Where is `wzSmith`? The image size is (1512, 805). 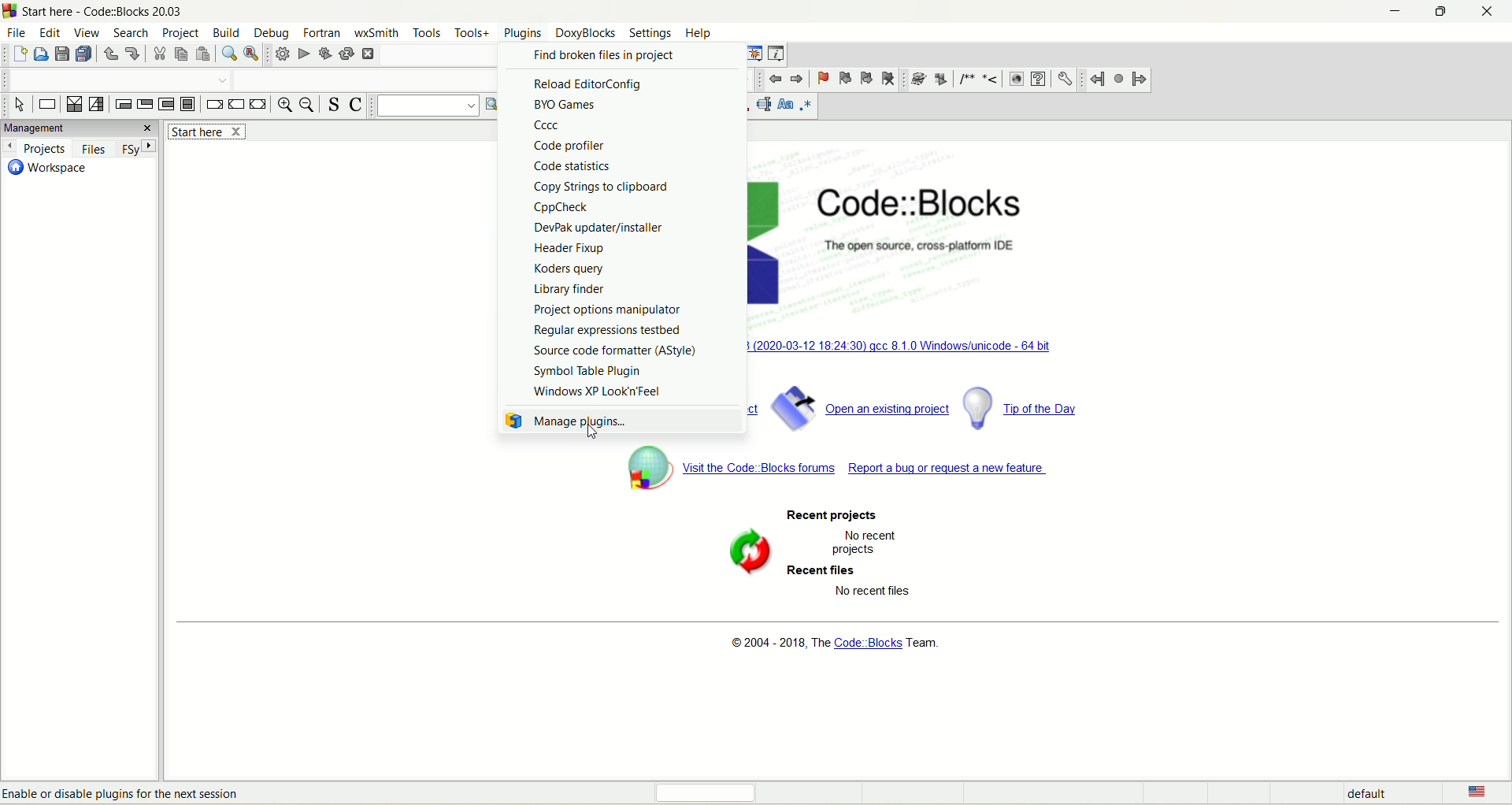
wzSmith is located at coordinates (377, 33).